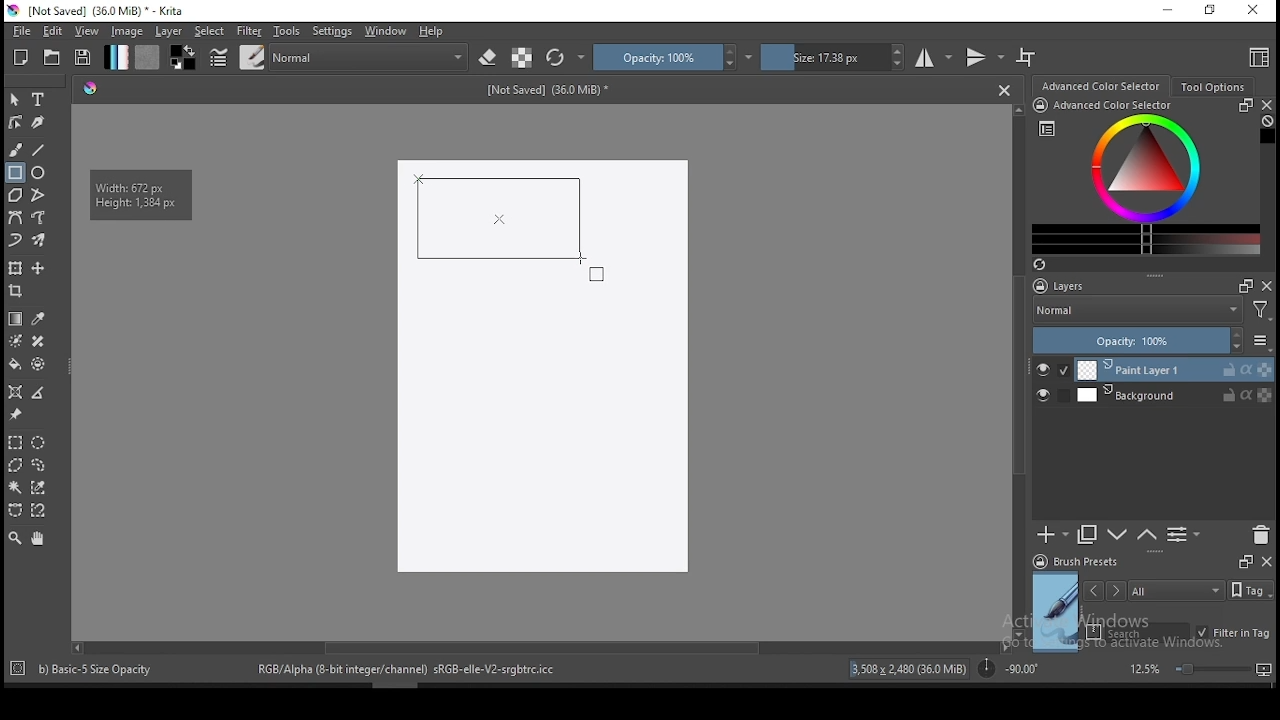  I want to click on filter in tag, so click(1233, 634).